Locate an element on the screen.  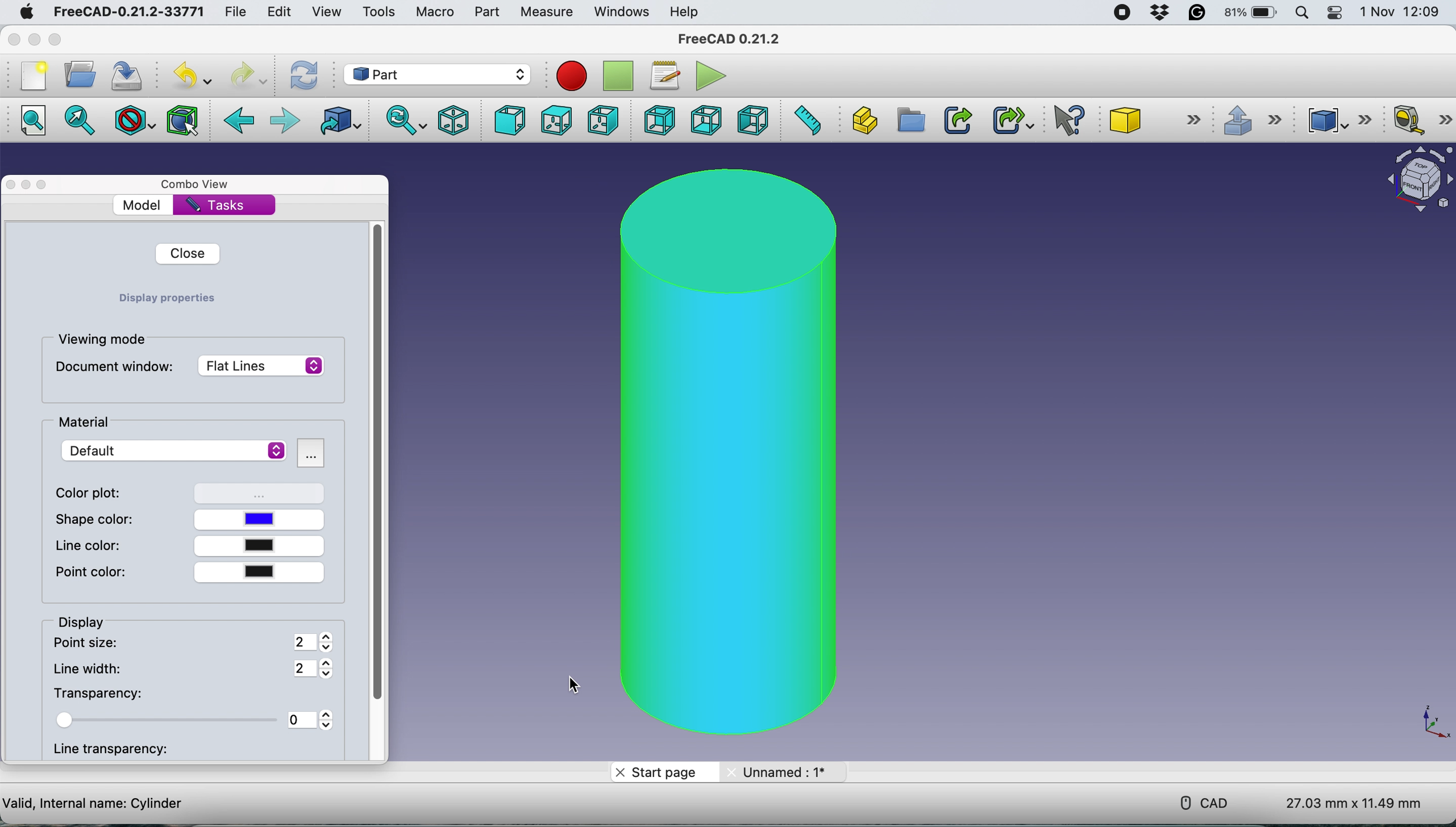
cursor is located at coordinates (313, 524).